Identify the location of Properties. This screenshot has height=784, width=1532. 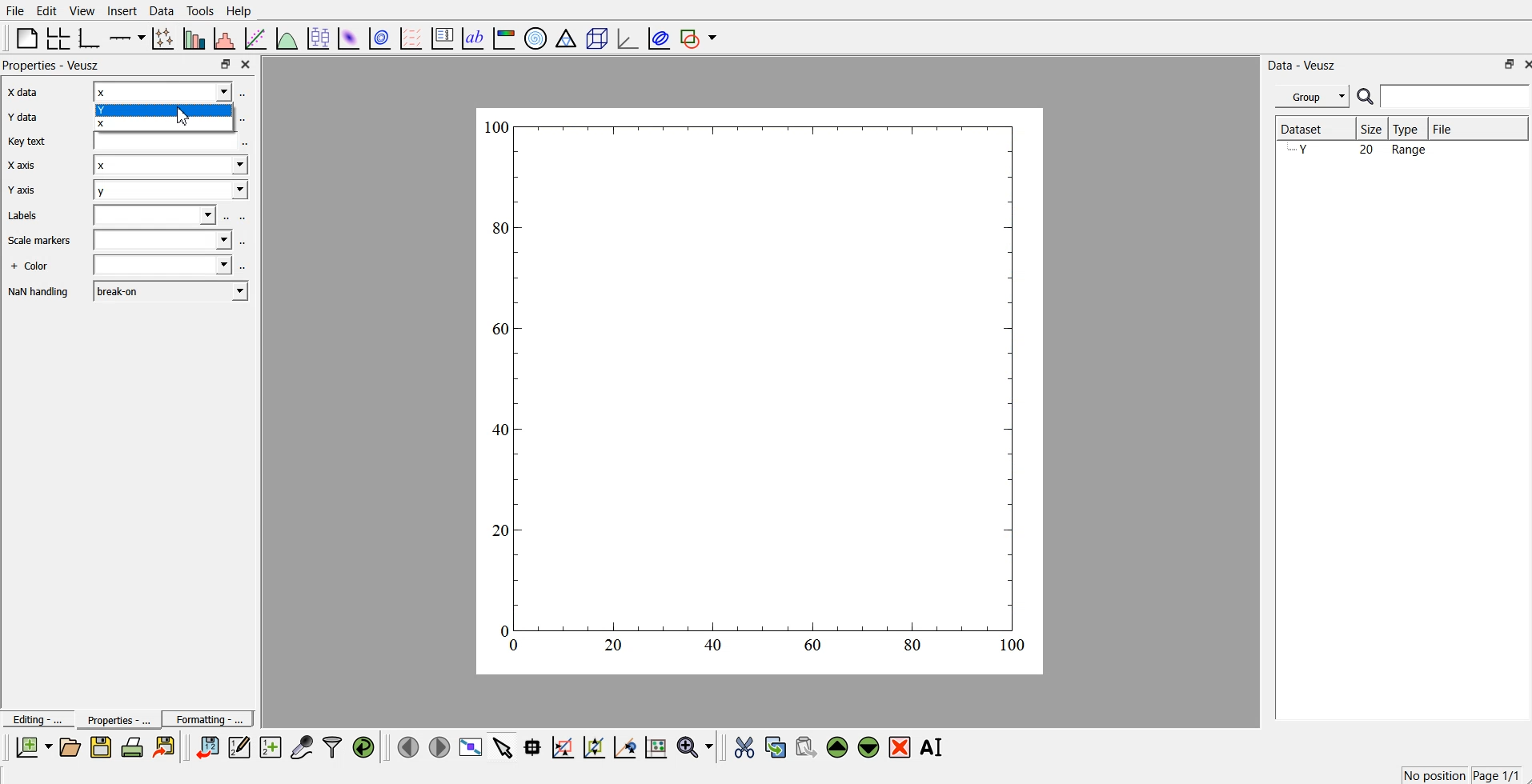
(113, 719).